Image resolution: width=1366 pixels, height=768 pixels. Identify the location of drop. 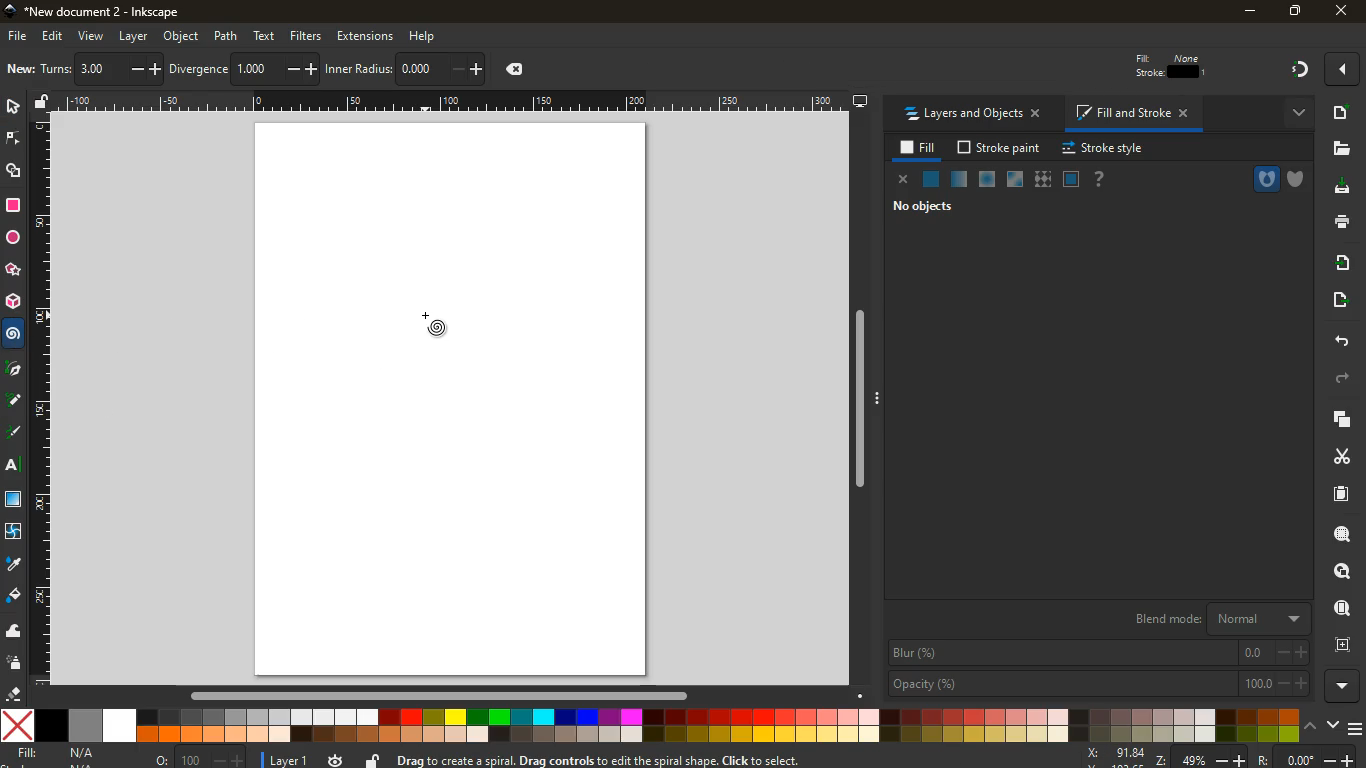
(14, 566).